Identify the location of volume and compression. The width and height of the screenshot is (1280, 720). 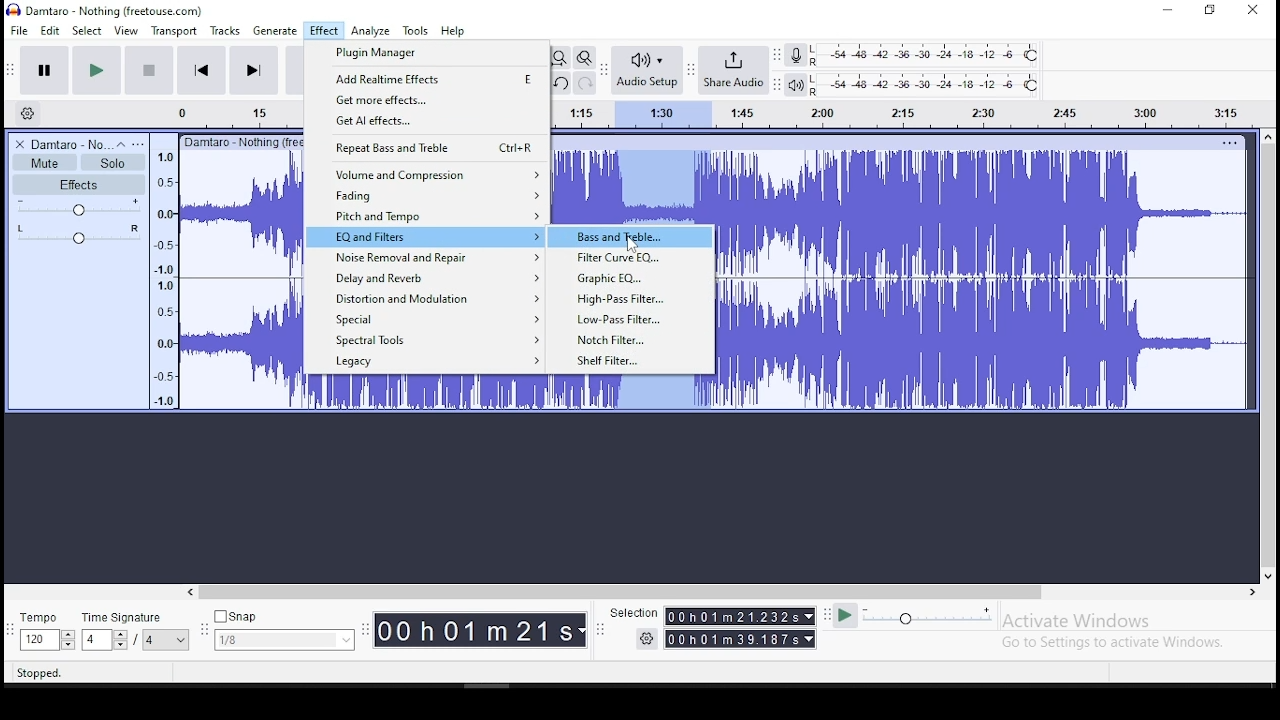
(427, 173).